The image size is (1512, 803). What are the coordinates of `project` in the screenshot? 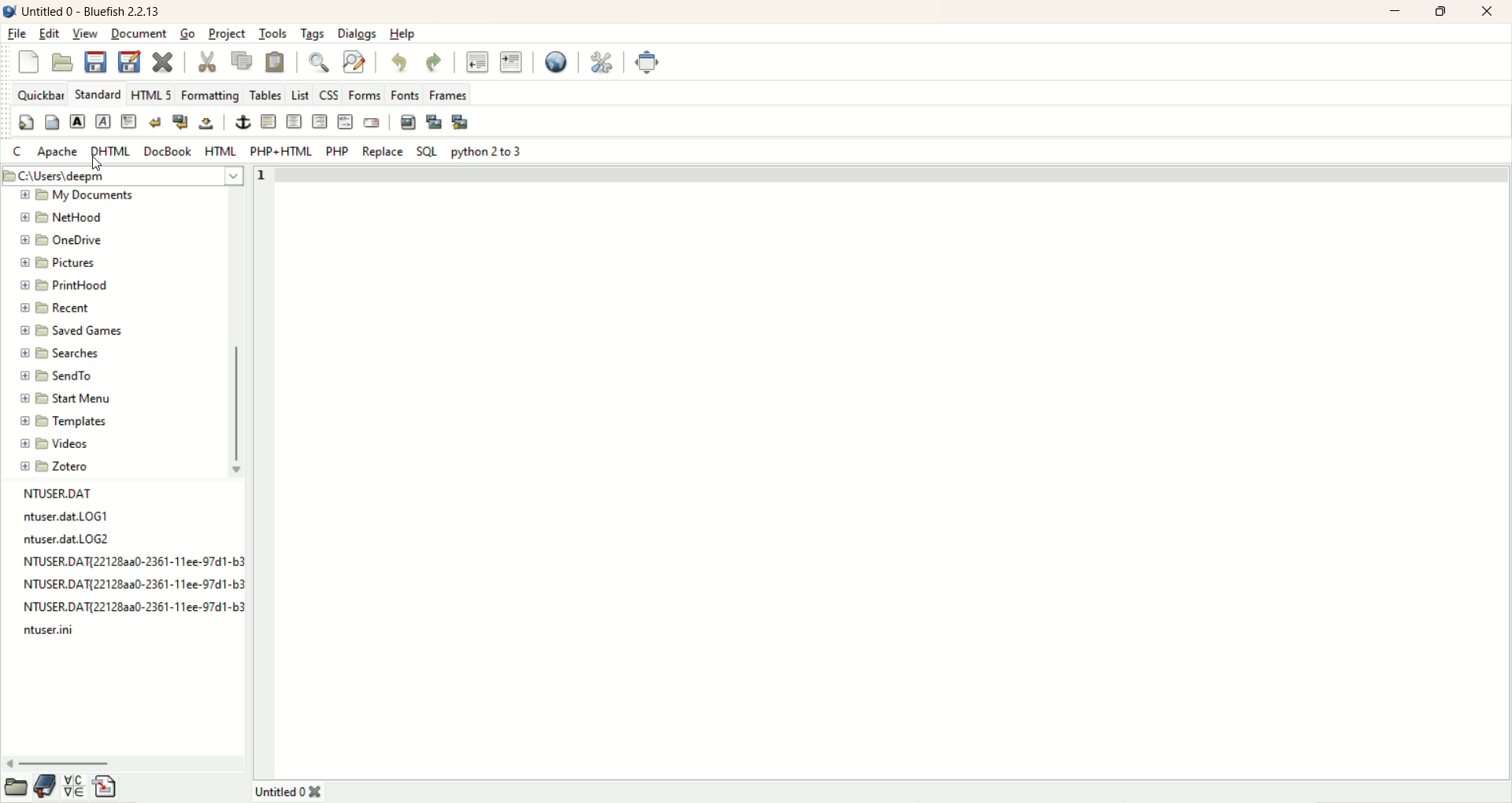 It's located at (228, 34).